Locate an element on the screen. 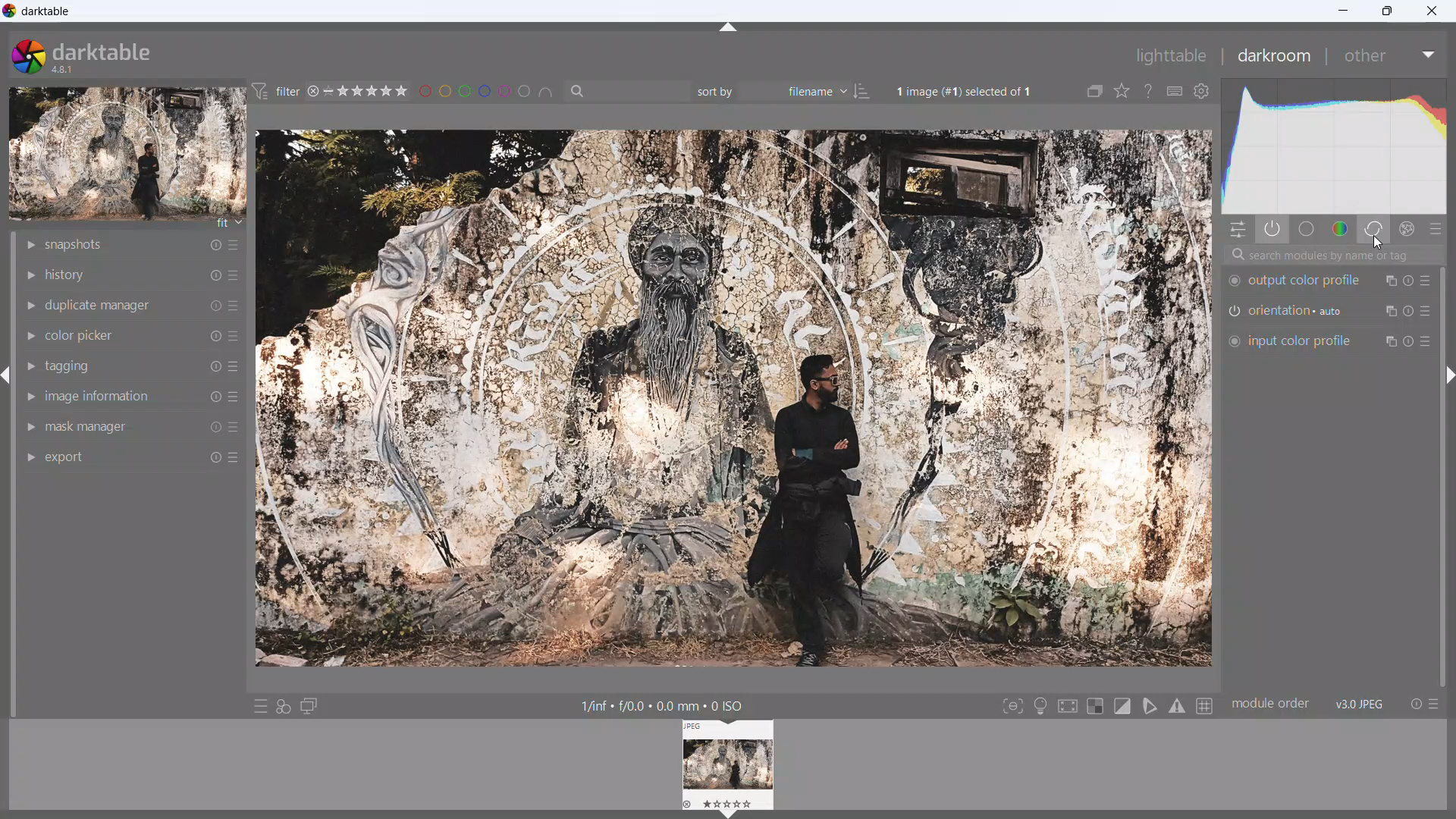 The image size is (1456, 819). more options is located at coordinates (236, 454).